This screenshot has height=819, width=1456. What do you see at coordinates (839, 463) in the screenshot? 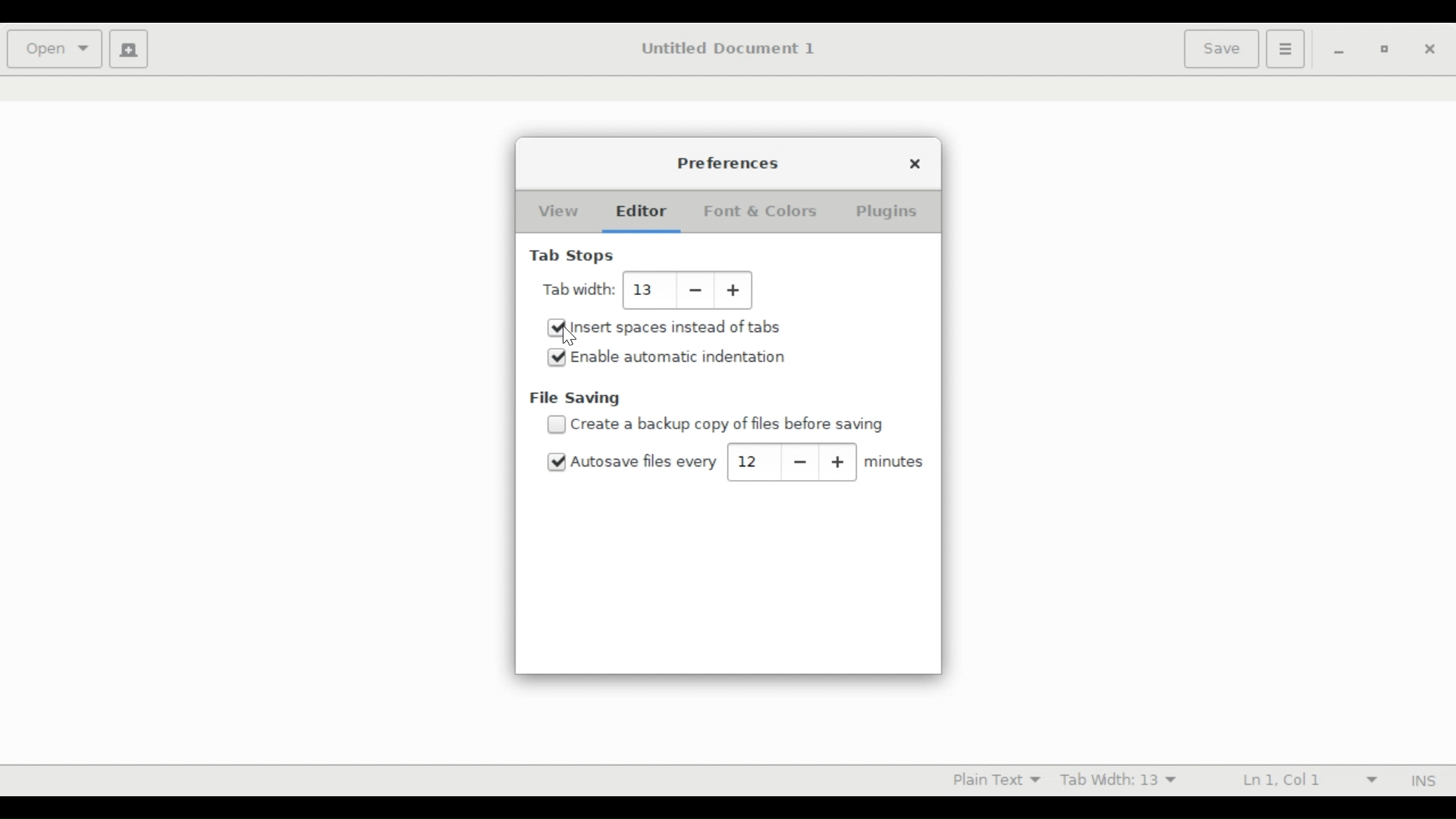
I see `Increase` at bounding box center [839, 463].